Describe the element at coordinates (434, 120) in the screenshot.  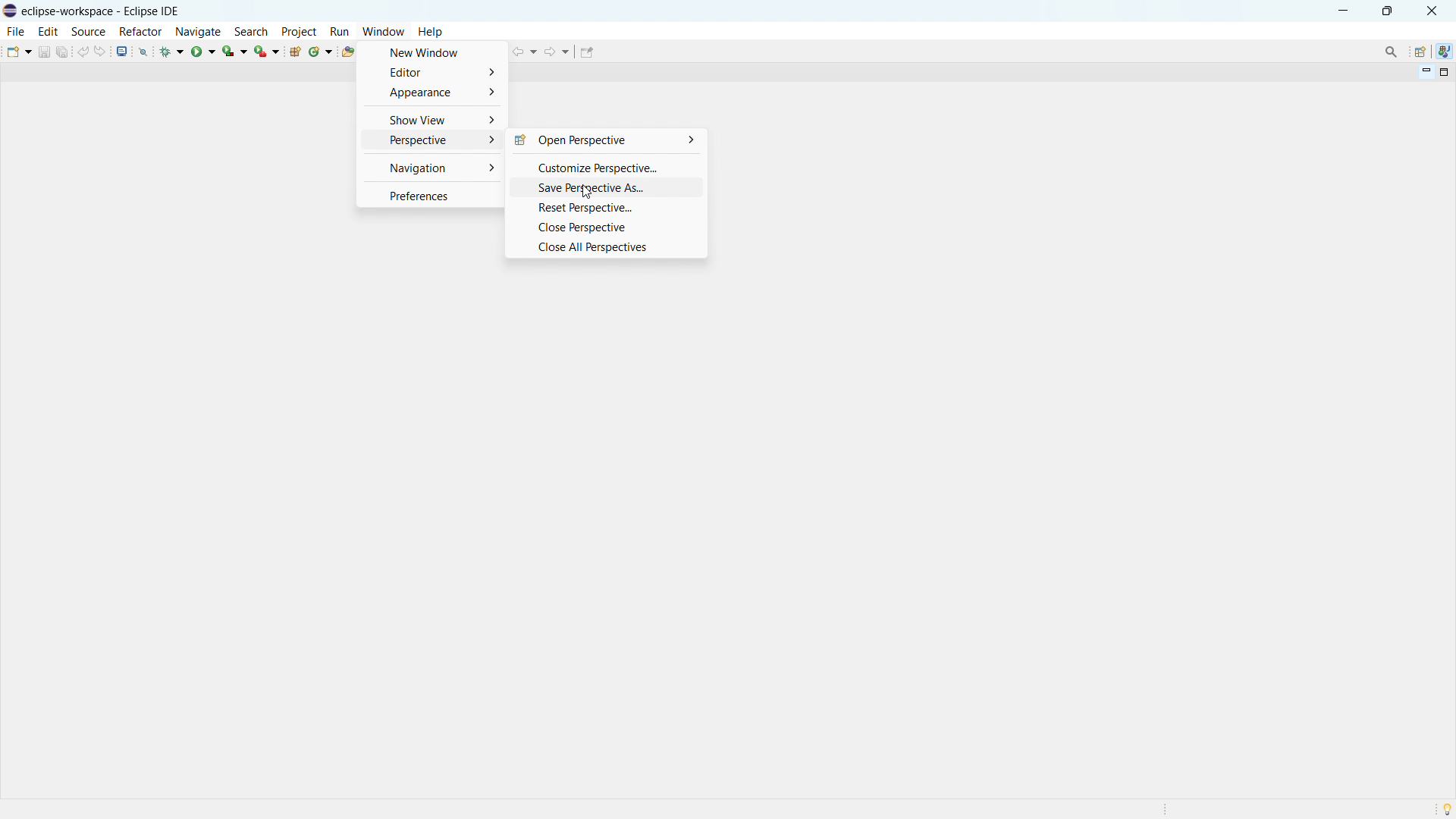
I see `show view` at that location.